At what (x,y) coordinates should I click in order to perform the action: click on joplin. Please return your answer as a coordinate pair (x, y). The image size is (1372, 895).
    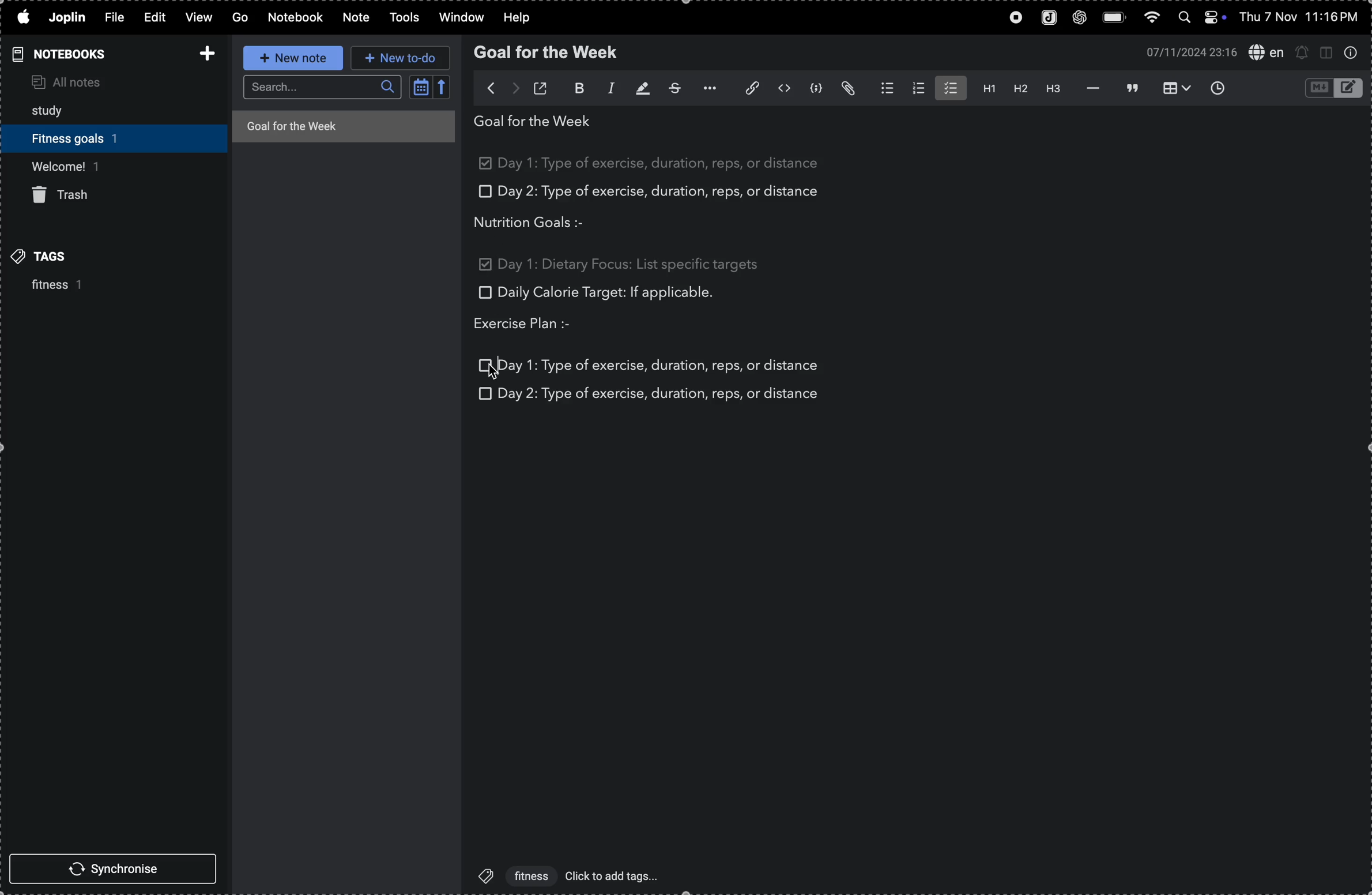
    Looking at the image, I should click on (67, 18).